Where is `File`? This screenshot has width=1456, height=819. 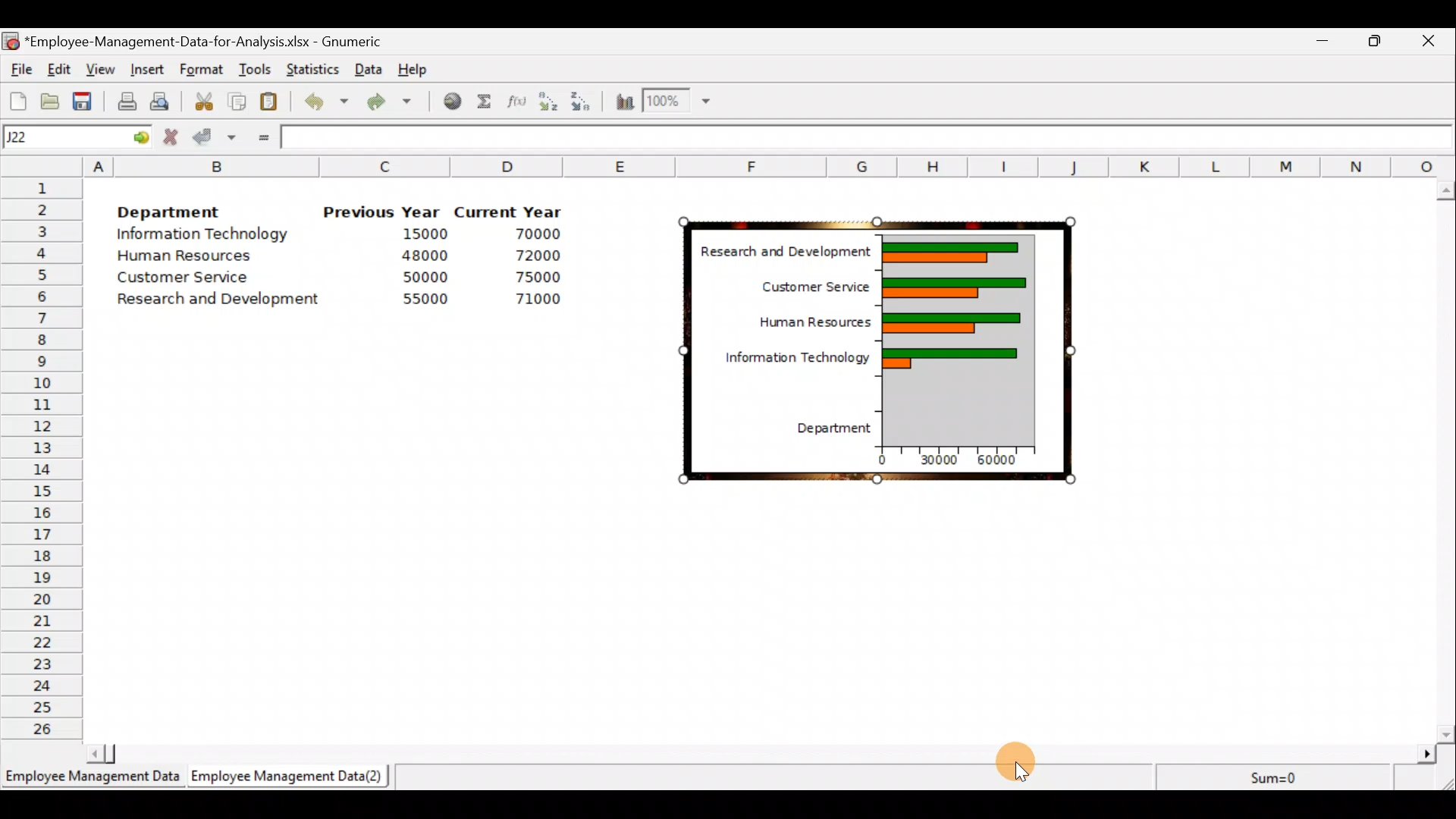
File is located at coordinates (19, 69).